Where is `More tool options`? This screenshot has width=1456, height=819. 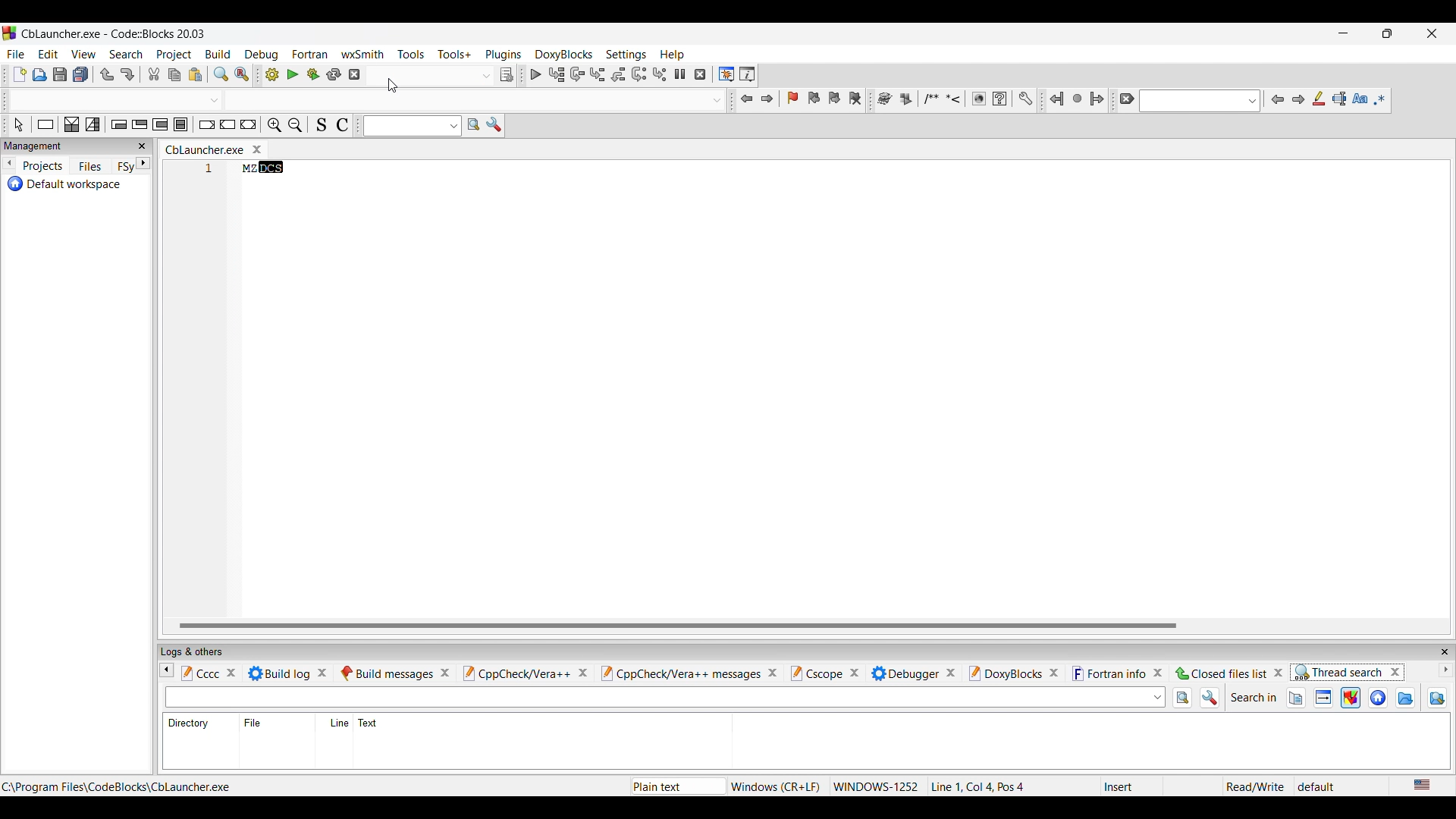 More tool options is located at coordinates (955, 99).